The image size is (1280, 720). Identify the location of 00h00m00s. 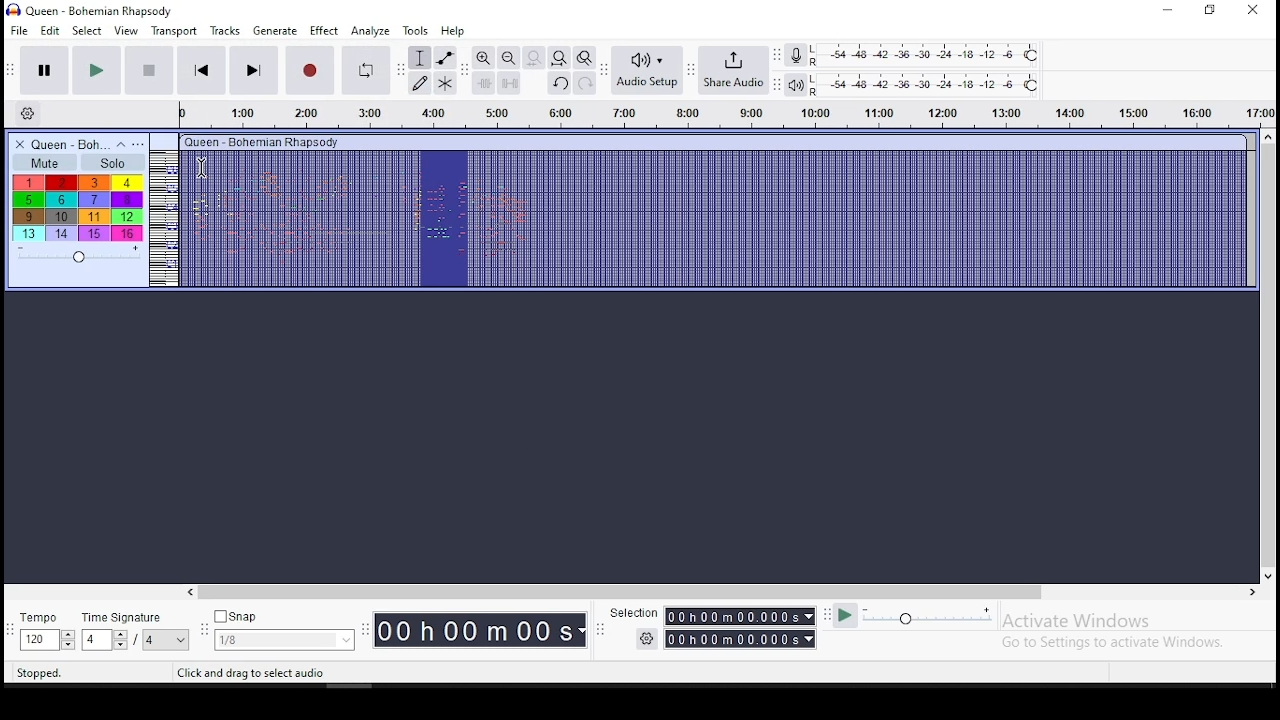
(742, 639).